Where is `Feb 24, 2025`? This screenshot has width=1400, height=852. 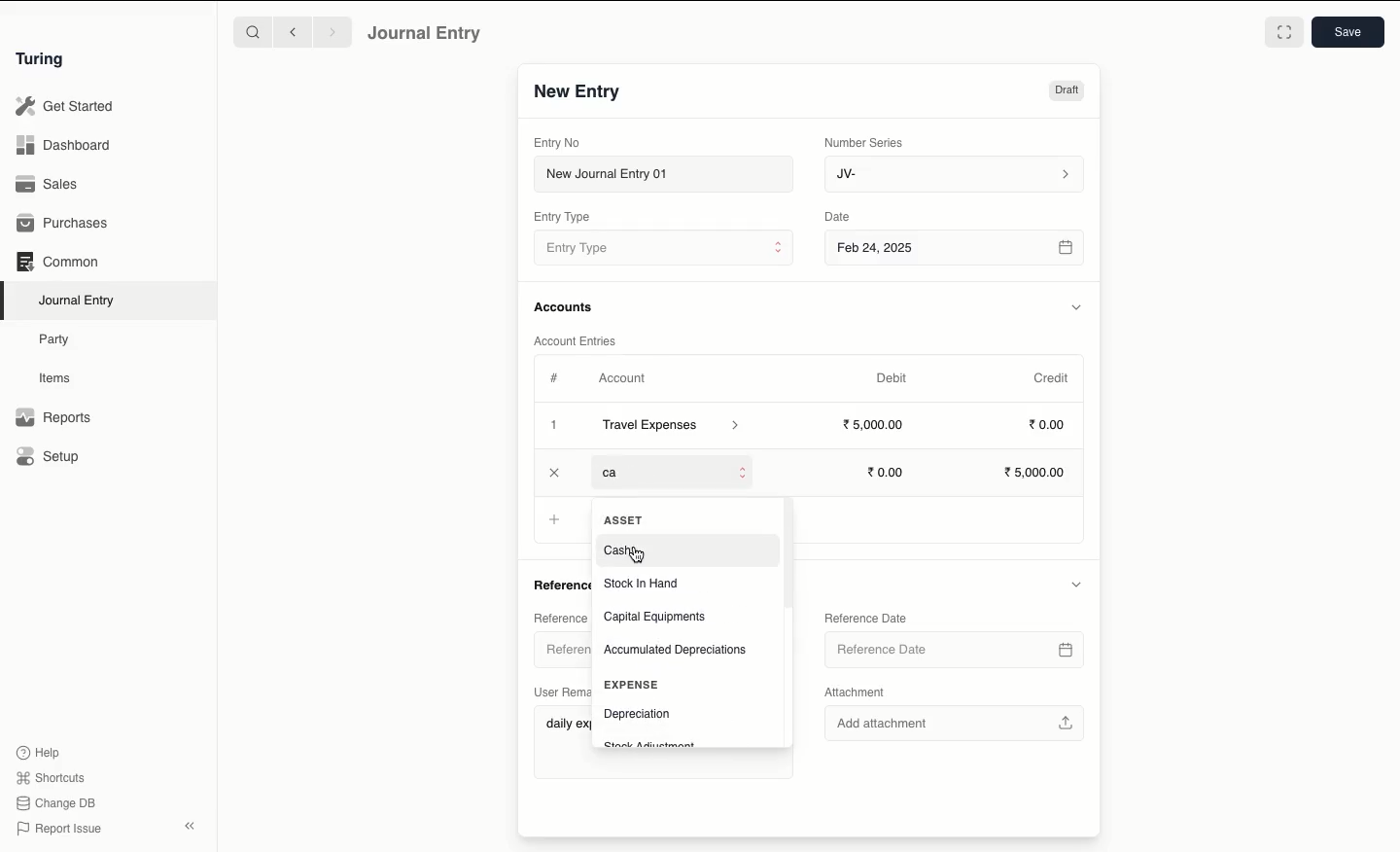
Feb 24, 2025 is located at coordinates (957, 250).